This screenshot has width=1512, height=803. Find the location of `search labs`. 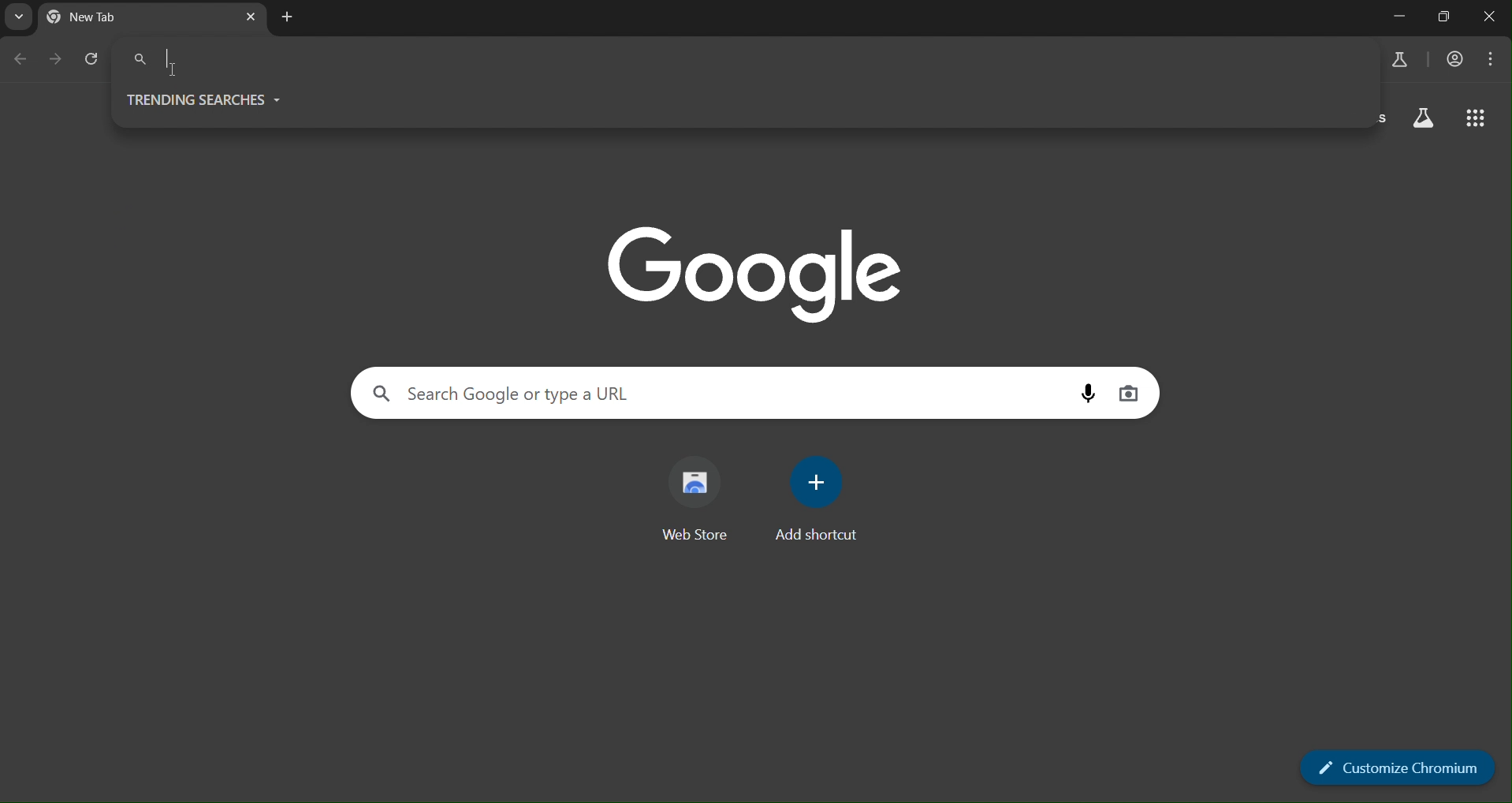

search labs is located at coordinates (1395, 60).